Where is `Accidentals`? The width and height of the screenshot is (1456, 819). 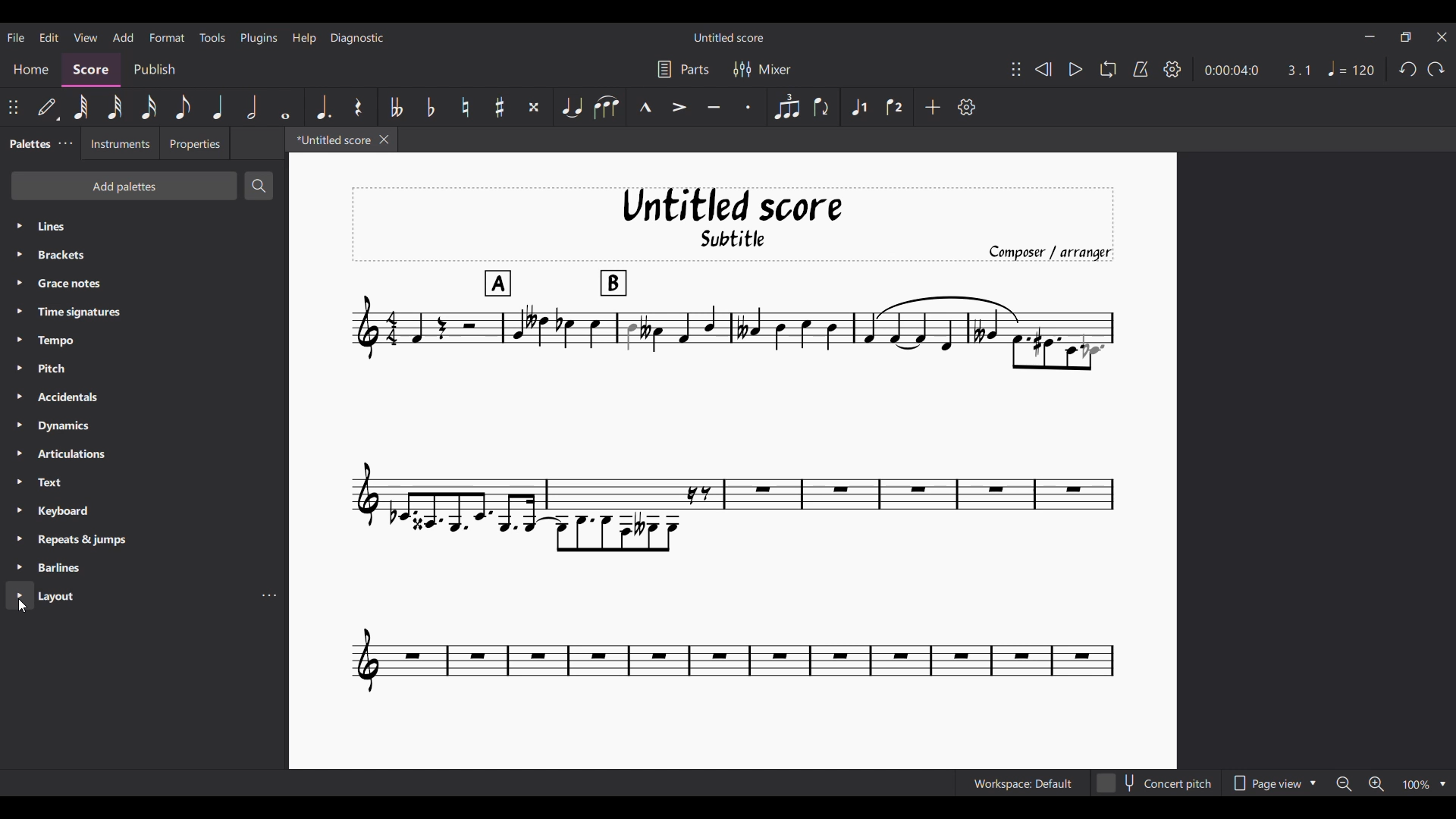 Accidentals is located at coordinates (143, 397).